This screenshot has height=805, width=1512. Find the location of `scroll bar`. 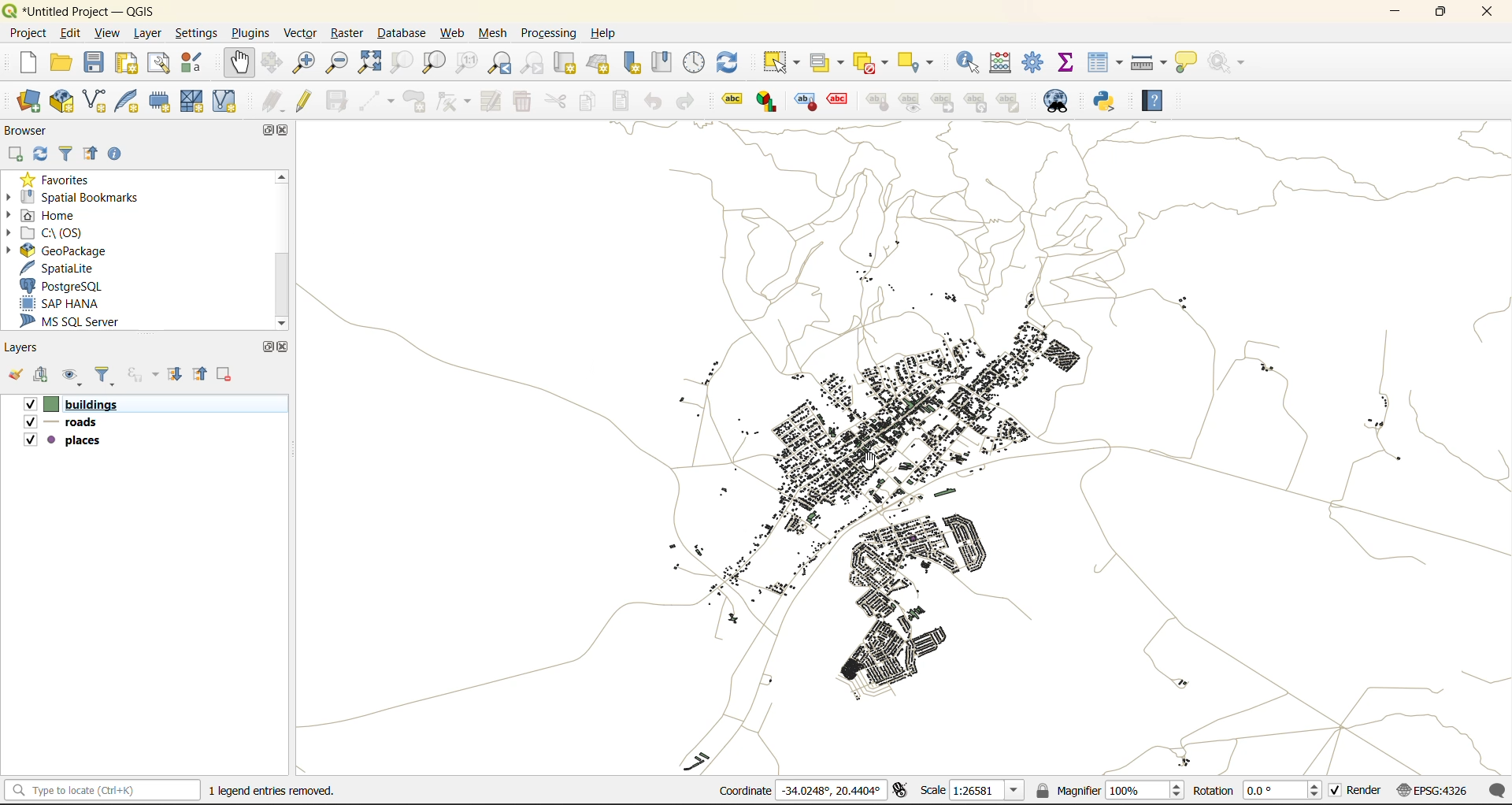

scroll bar is located at coordinates (287, 247).